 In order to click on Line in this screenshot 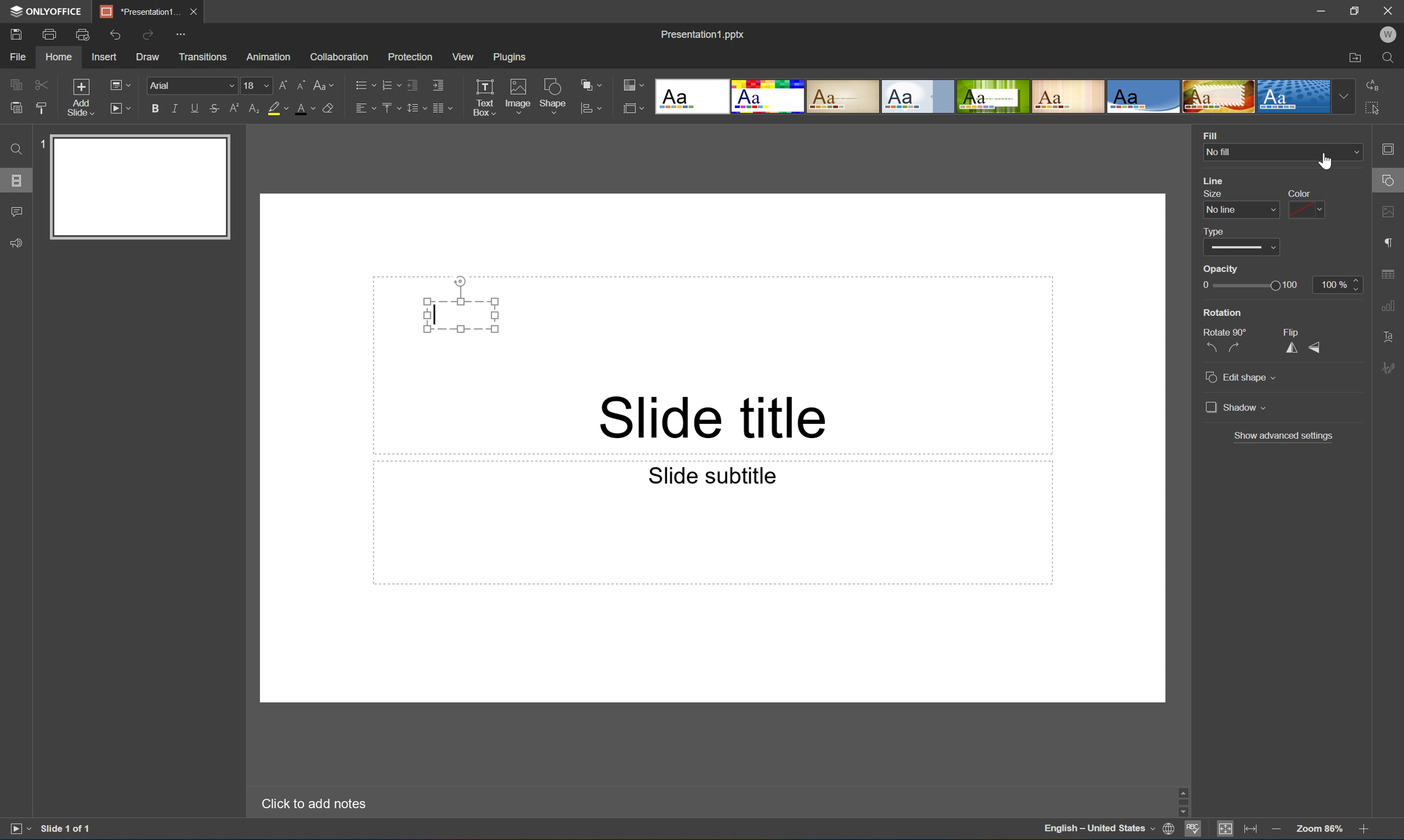, I will do `click(1214, 181)`.